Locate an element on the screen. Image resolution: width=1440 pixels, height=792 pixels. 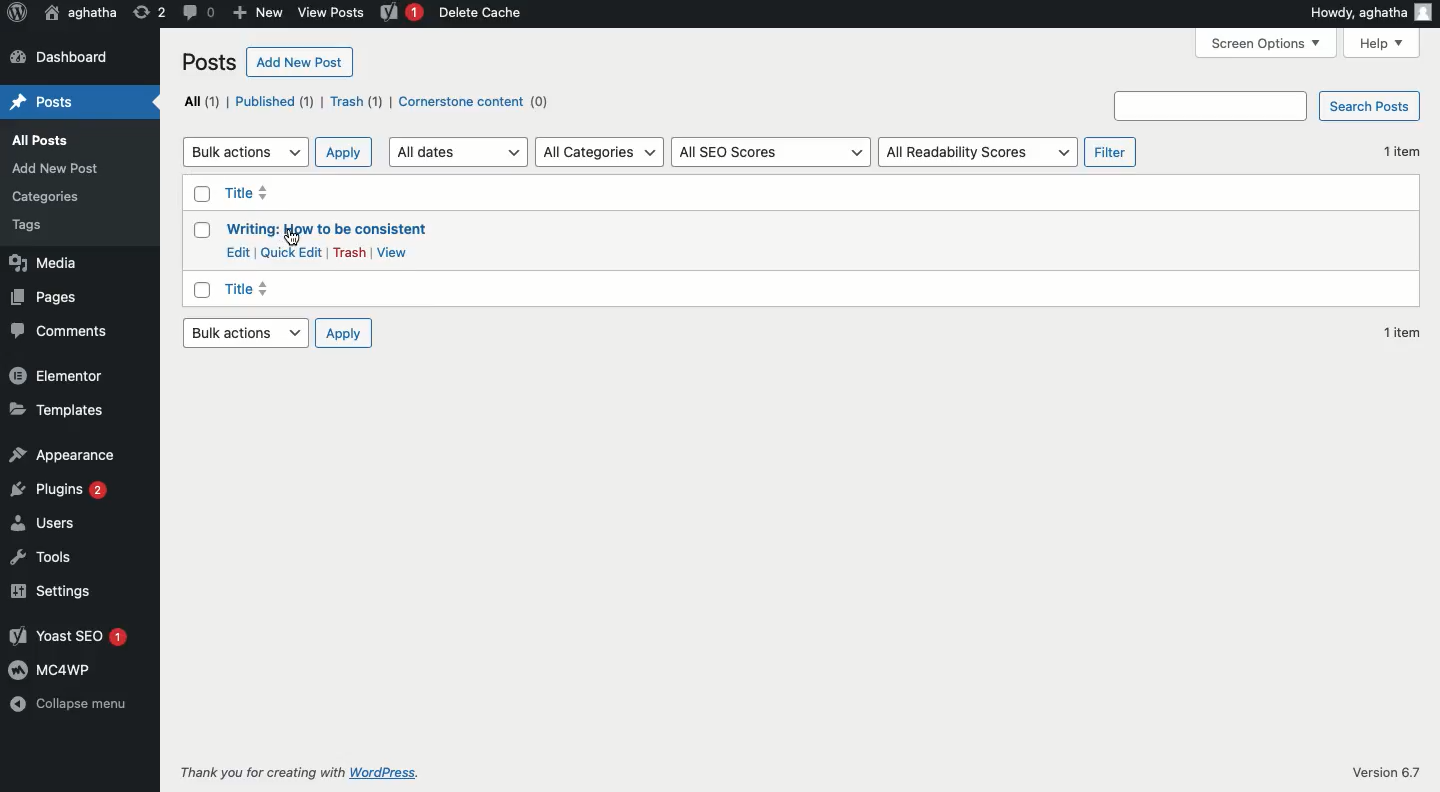
Categories is located at coordinates (45, 199).